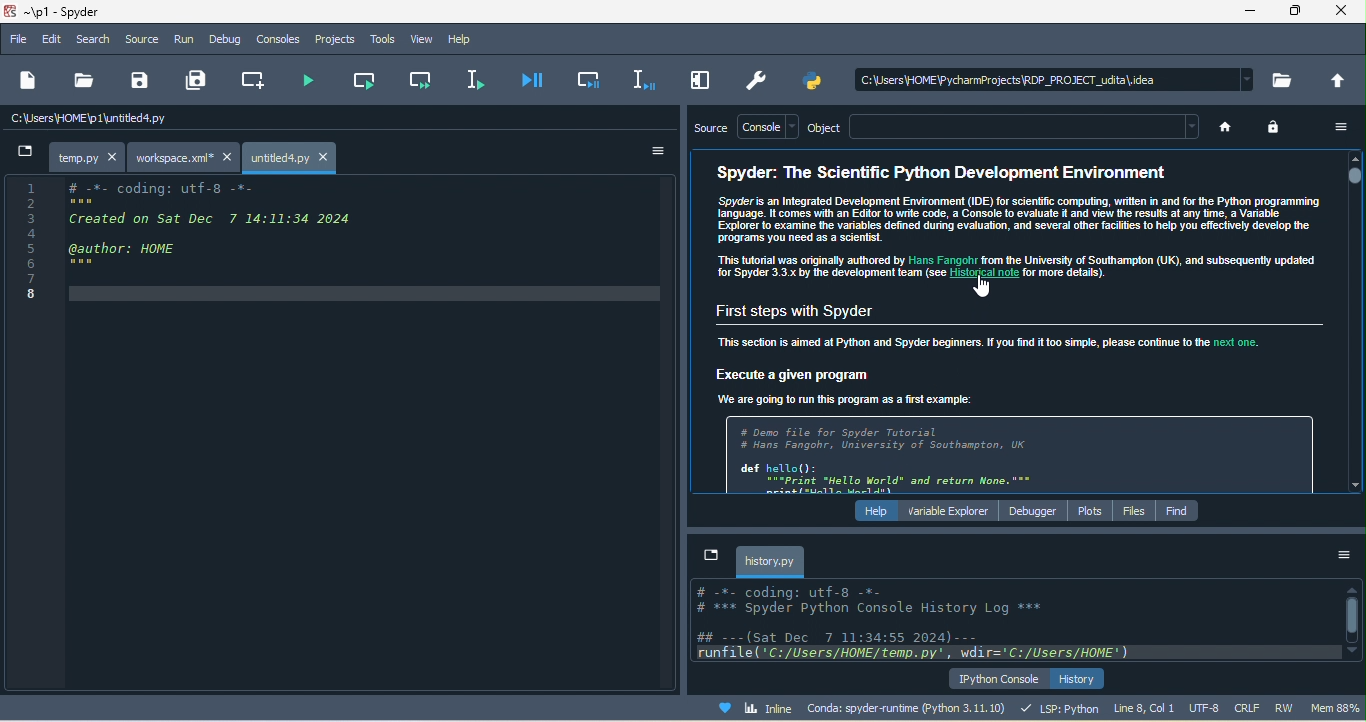  Describe the element at coordinates (754, 80) in the screenshot. I see `preference` at that location.